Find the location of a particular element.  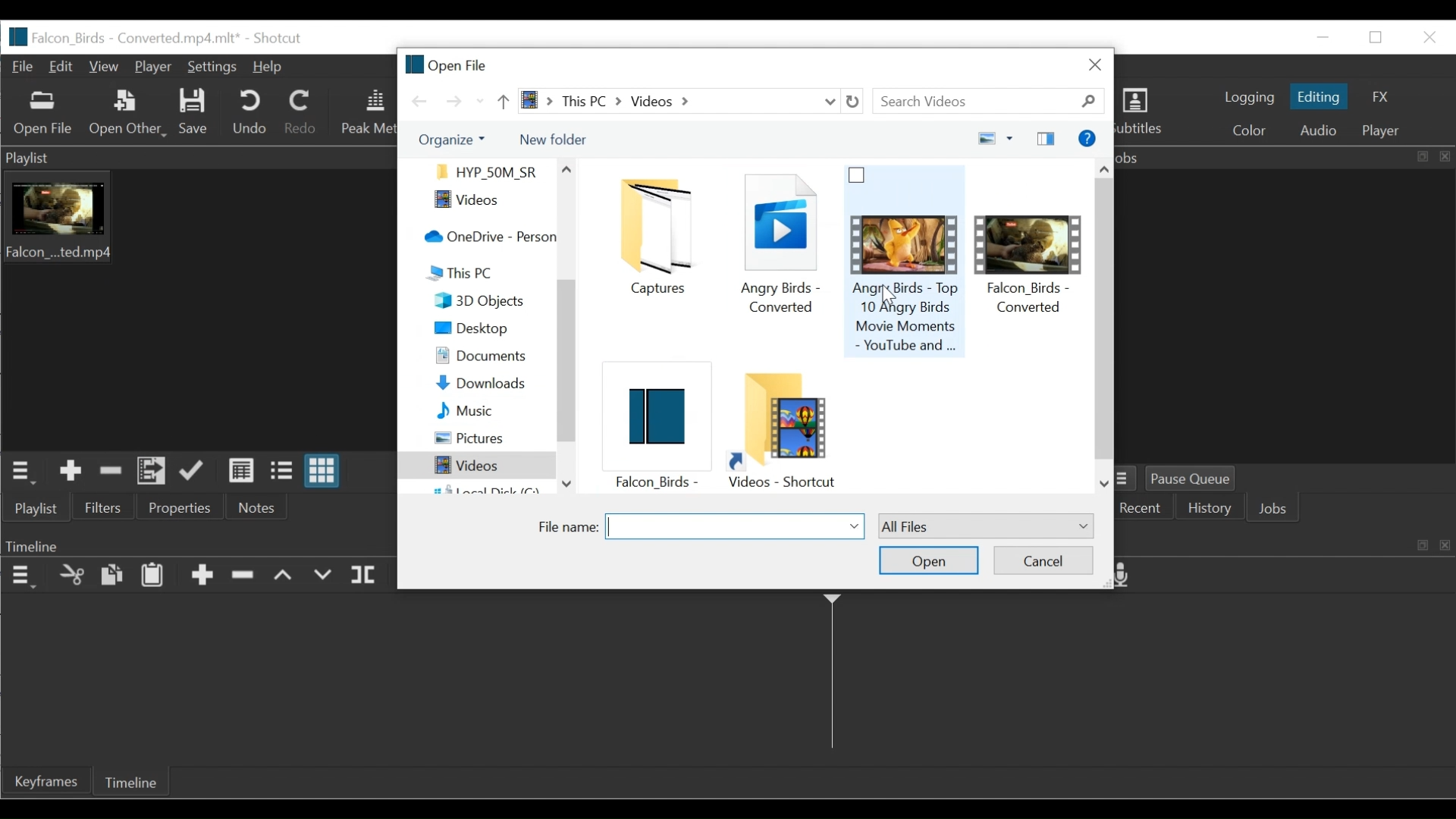

Audio is located at coordinates (1320, 130).